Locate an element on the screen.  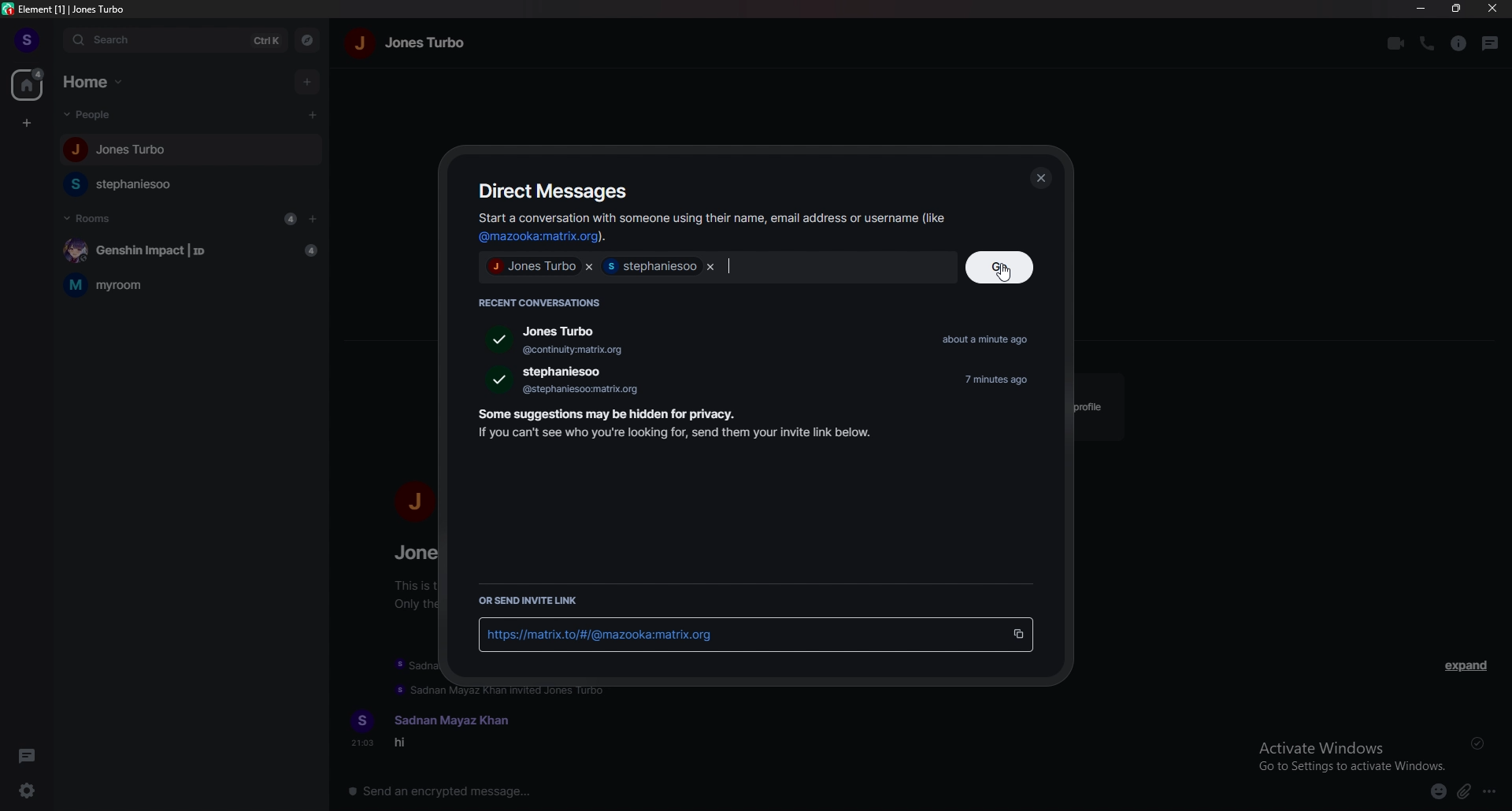
create space is located at coordinates (28, 124).